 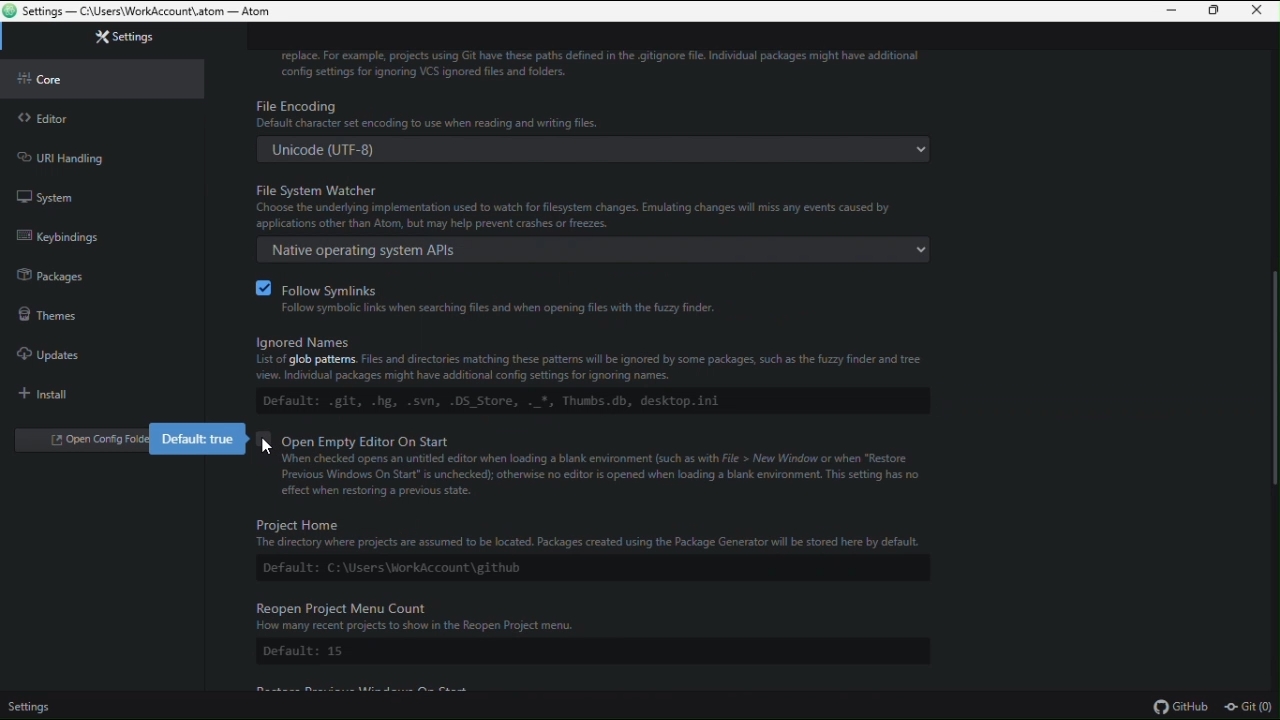 I want to click on default, so click(x=589, y=399).